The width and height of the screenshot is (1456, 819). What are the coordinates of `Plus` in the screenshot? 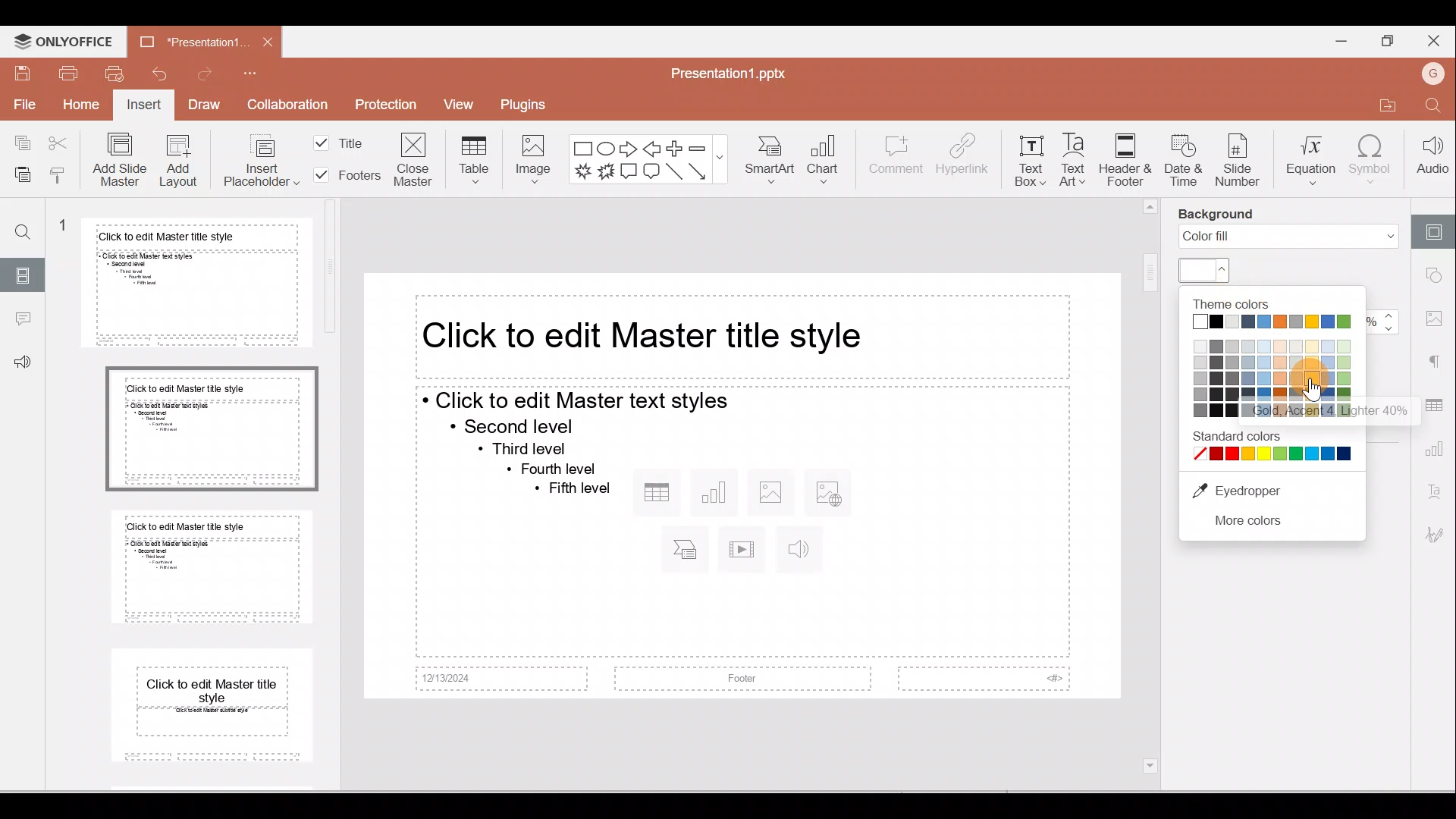 It's located at (675, 147).